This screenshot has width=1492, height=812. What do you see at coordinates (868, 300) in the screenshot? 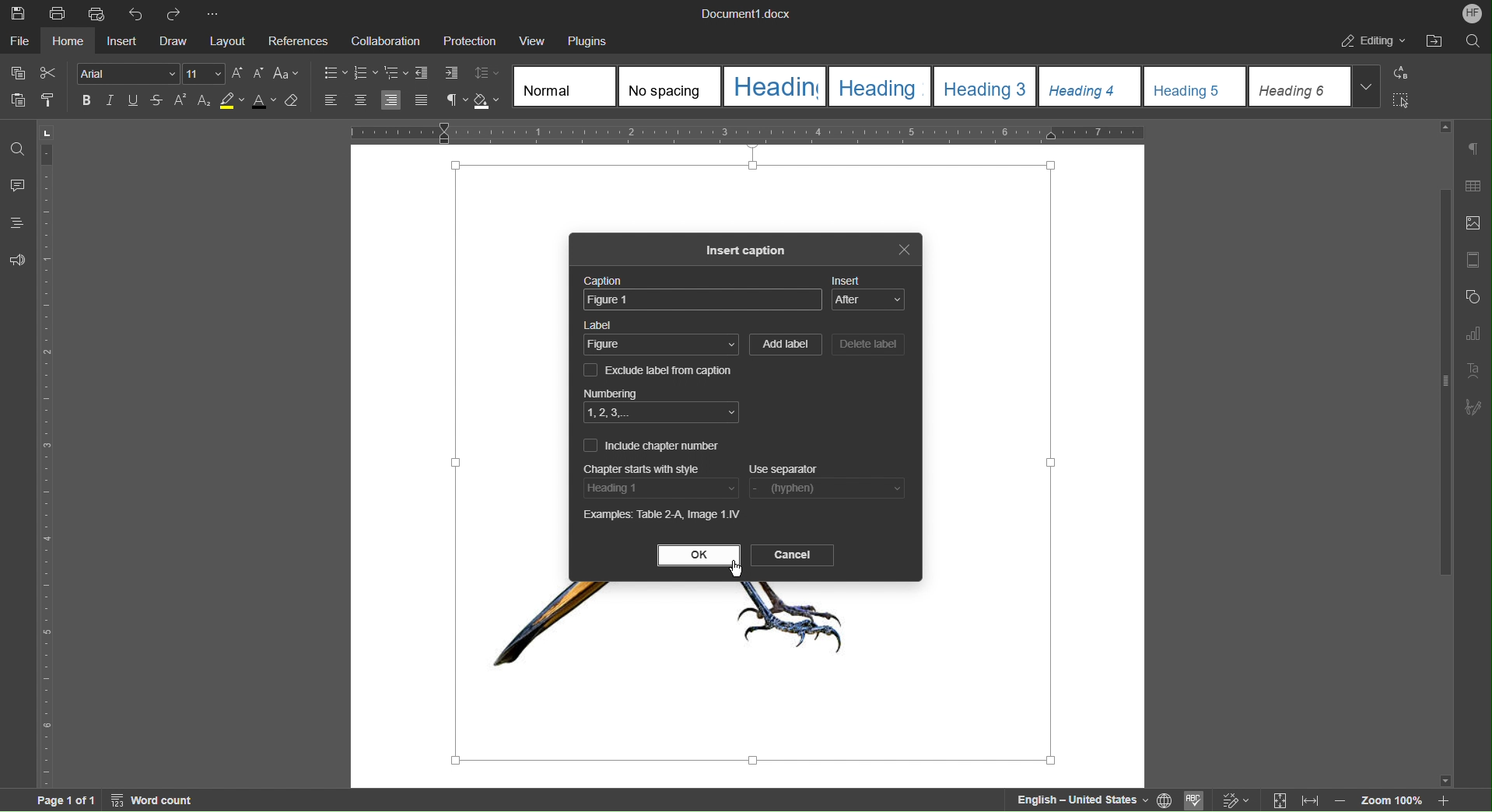
I see `After` at bounding box center [868, 300].